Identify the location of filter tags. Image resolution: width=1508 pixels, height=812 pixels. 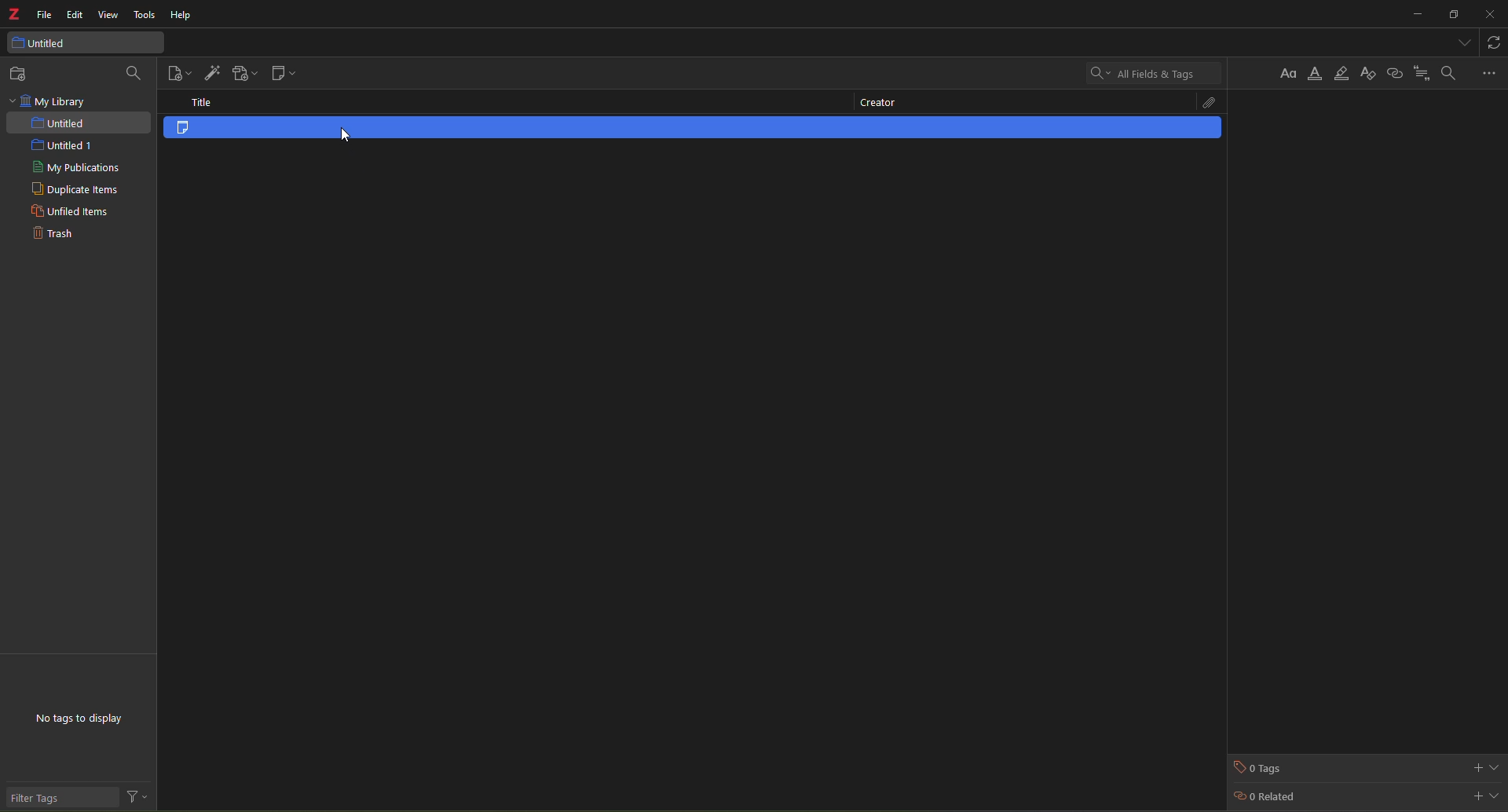
(41, 798).